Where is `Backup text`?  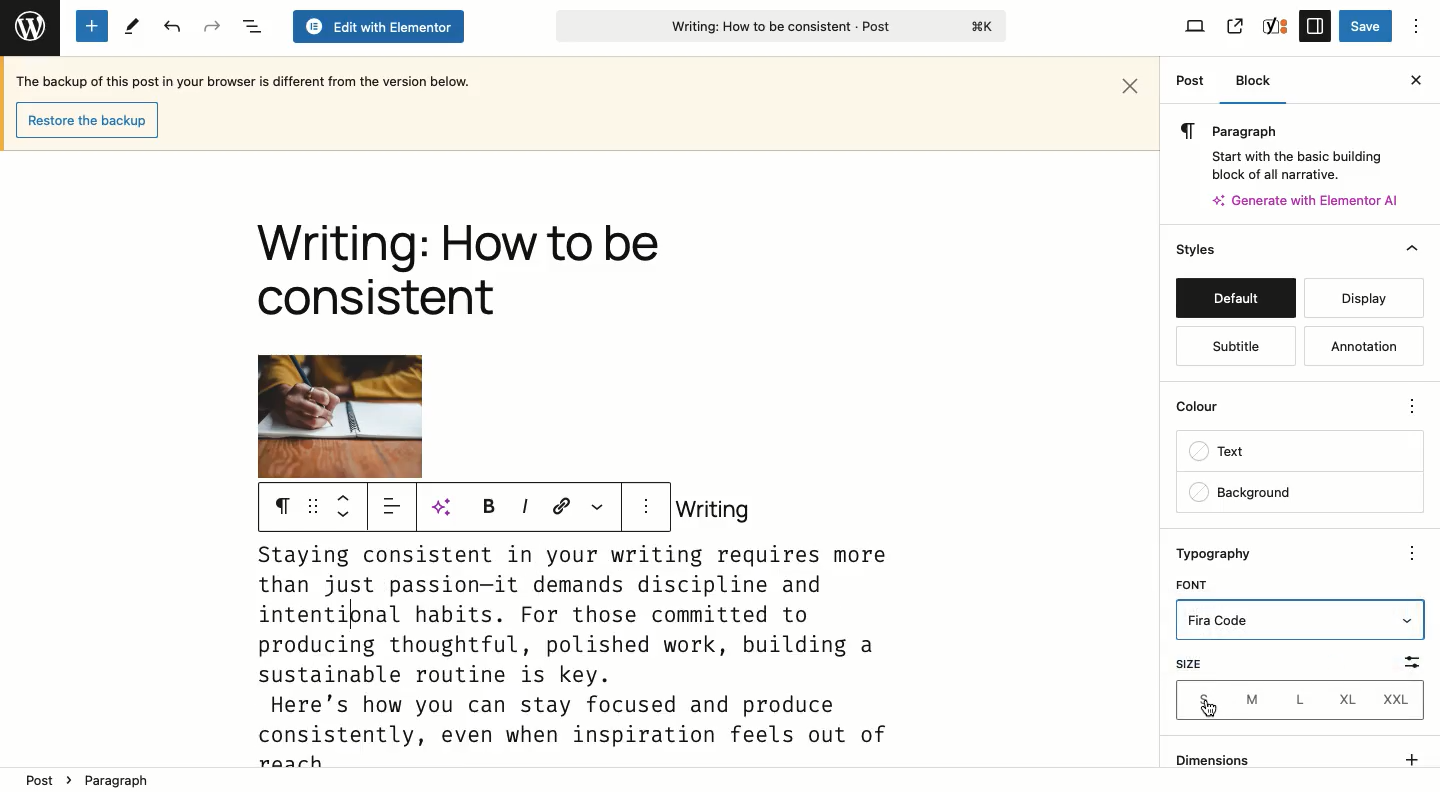 Backup text is located at coordinates (247, 80).